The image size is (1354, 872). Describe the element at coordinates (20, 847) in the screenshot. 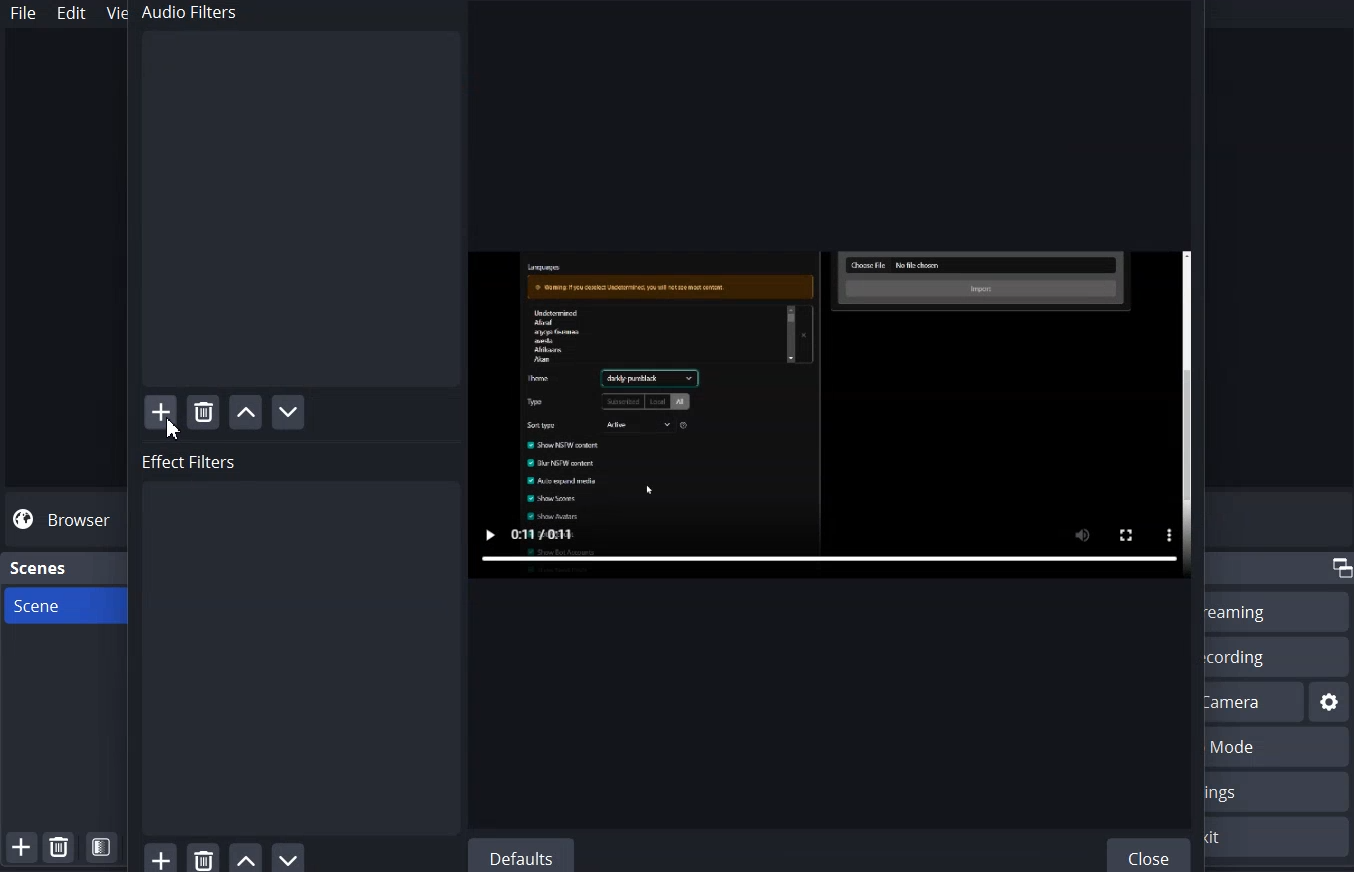

I see `Add Scene` at that location.